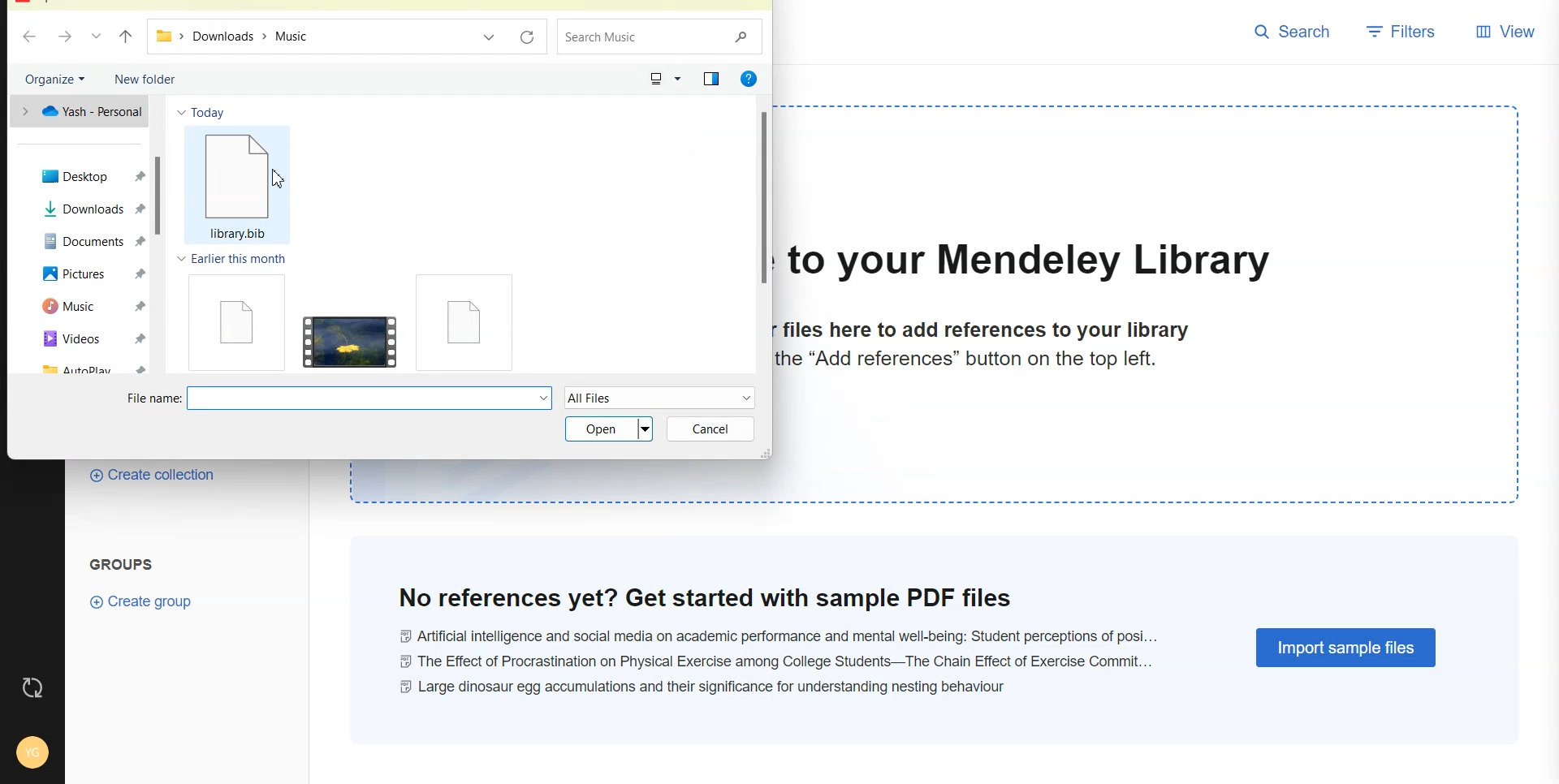 Image resolution: width=1559 pixels, height=784 pixels. I want to click on Get Help, so click(750, 79).